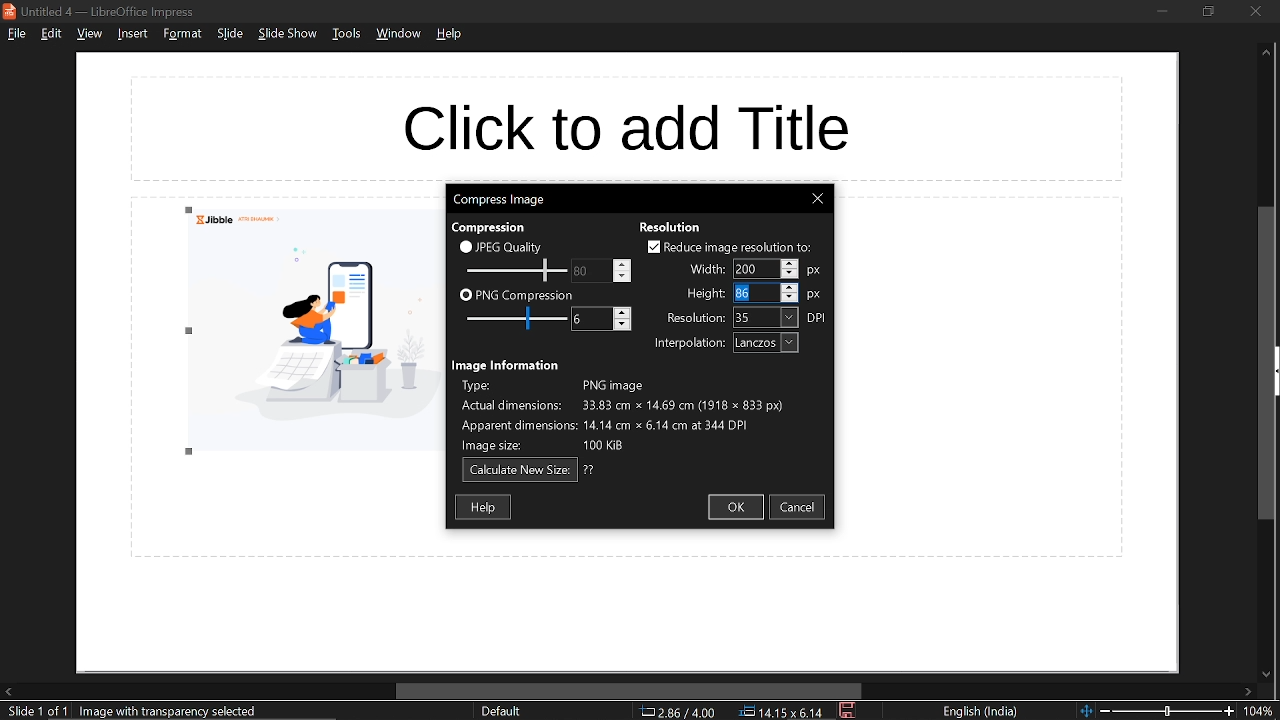 This screenshot has height=720, width=1280. I want to click on move left, so click(8, 691).